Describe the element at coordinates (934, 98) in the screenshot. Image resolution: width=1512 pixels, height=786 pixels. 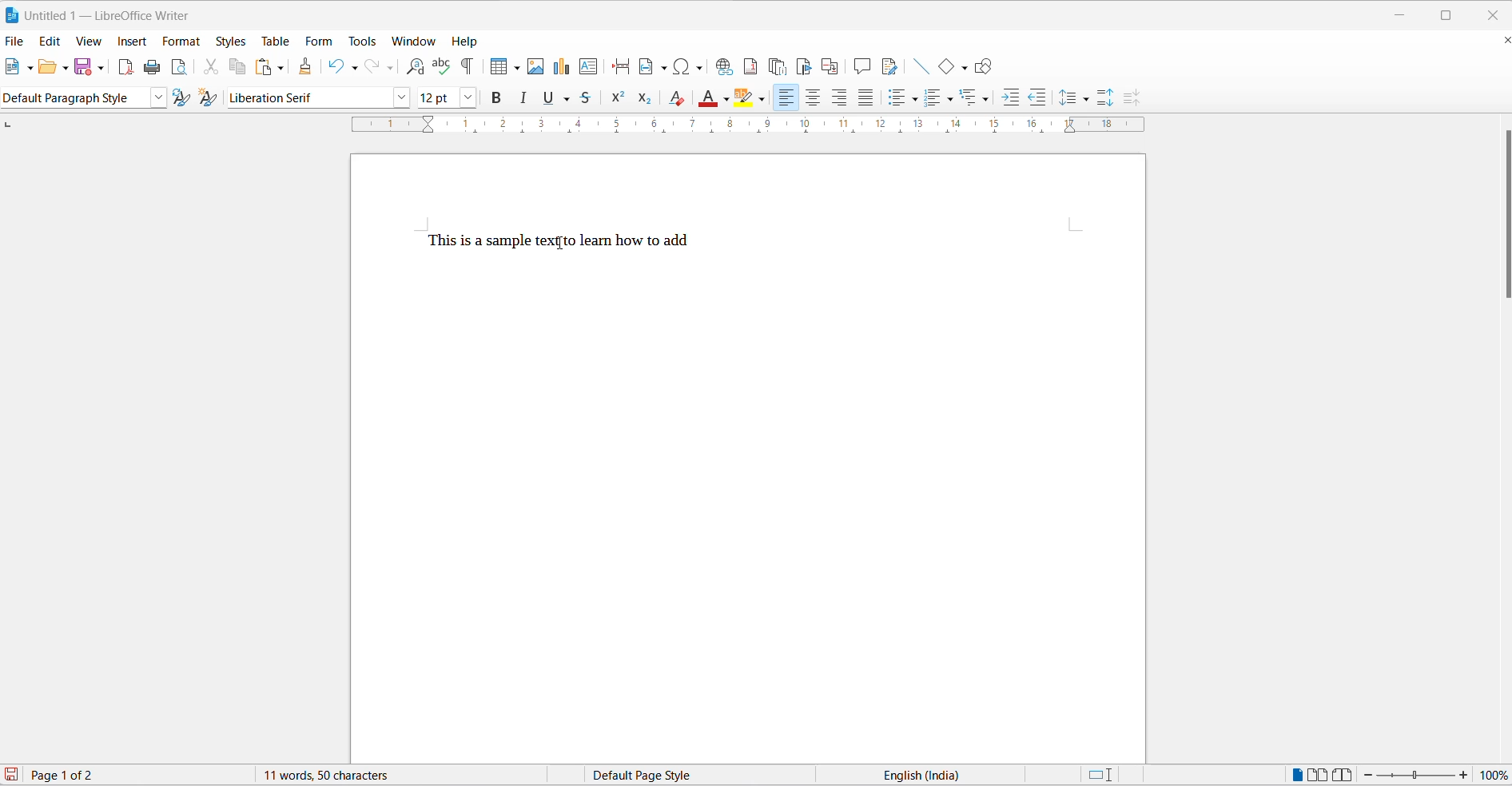
I see `toggle ordered list` at that location.